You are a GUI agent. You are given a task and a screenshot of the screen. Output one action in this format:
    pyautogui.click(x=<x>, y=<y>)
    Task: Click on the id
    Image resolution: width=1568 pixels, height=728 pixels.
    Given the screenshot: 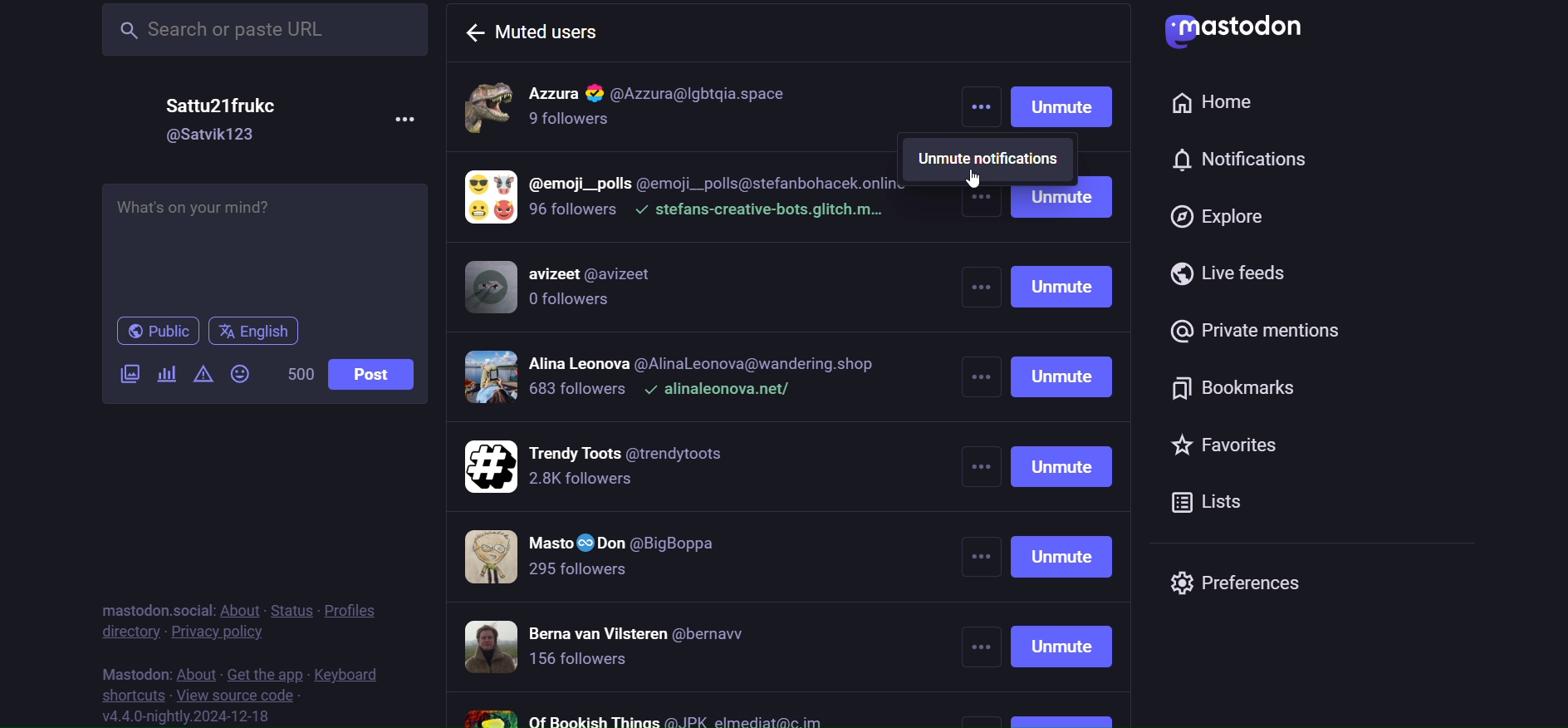 What is the action you would take?
    pyautogui.click(x=211, y=135)
    